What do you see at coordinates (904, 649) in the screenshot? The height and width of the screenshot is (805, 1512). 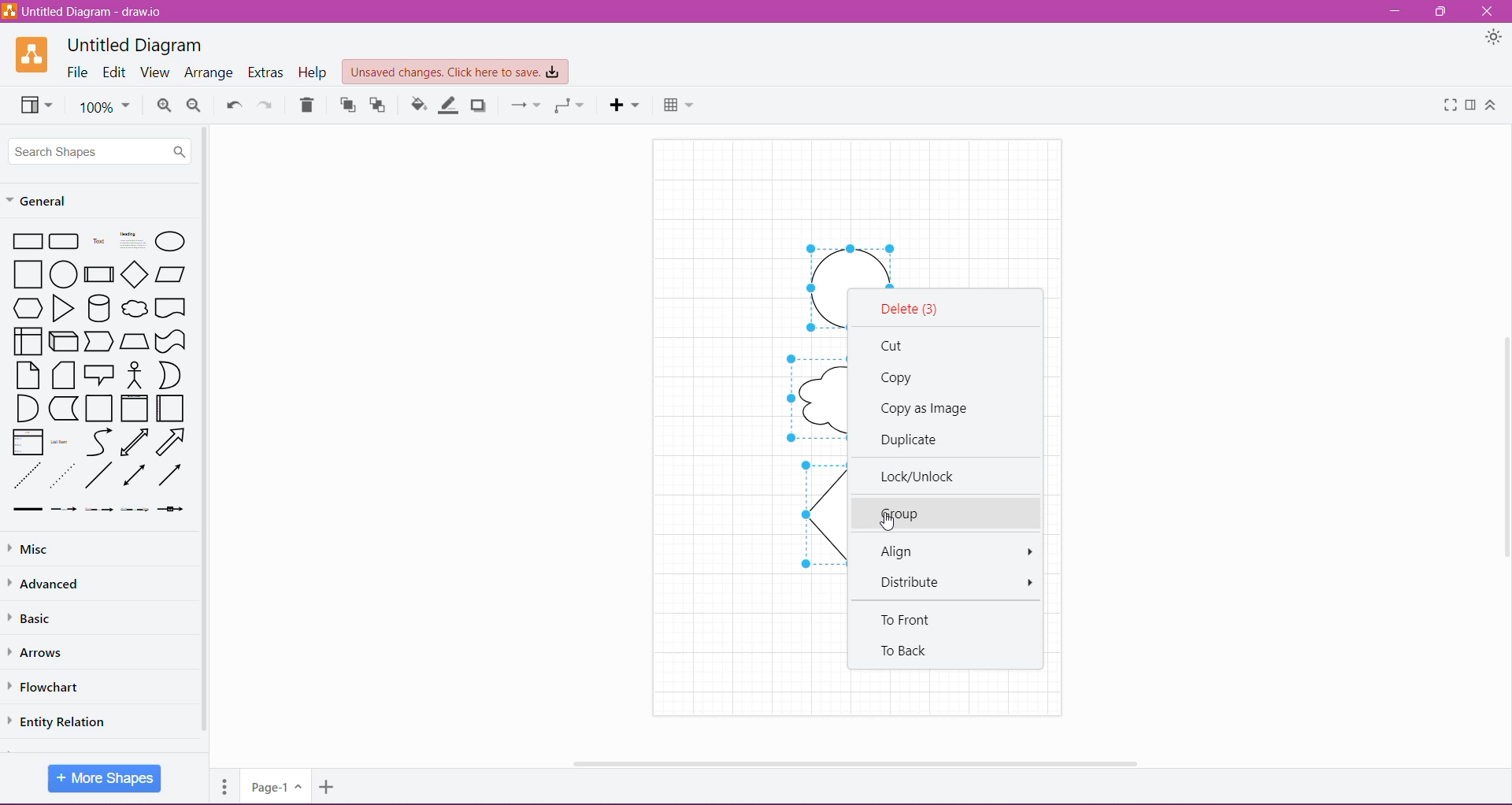 I see `To Back` at bounding box center [904, 649].